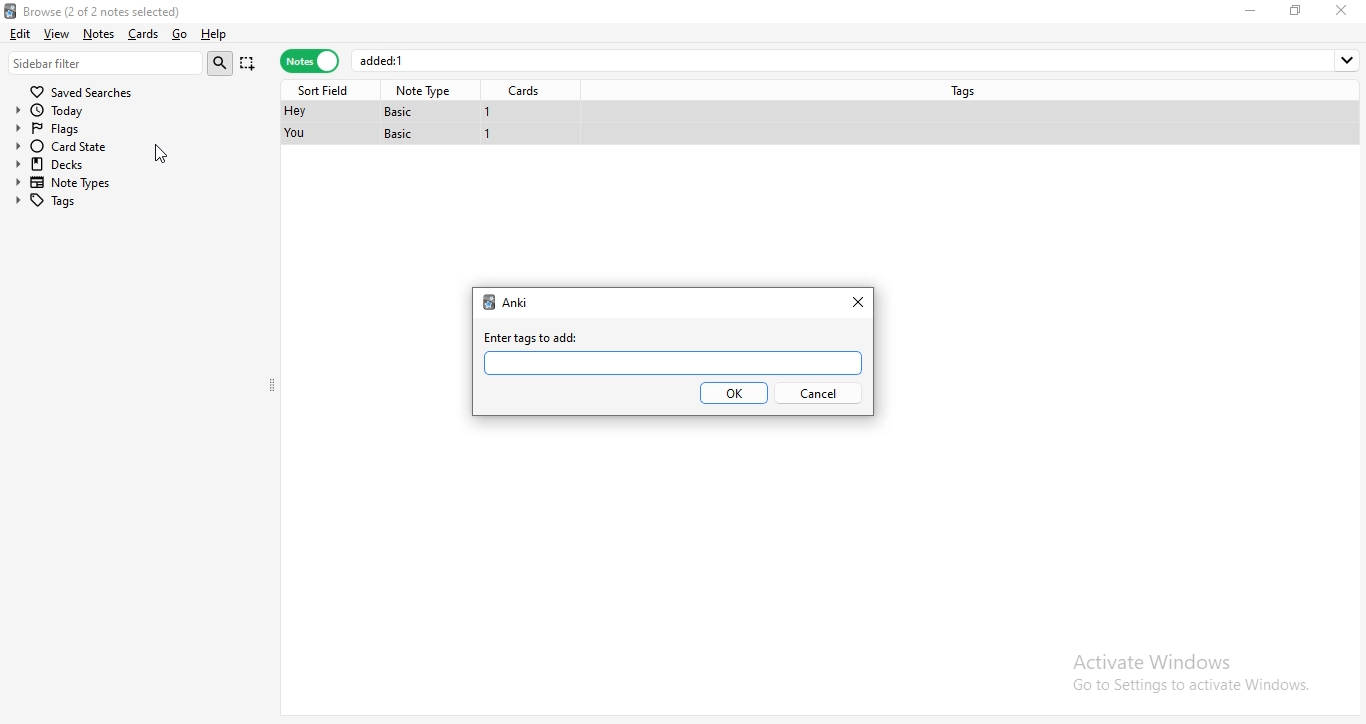 This screenshot has width=1366, height=724. I want to click on cards, so click(528, 91).